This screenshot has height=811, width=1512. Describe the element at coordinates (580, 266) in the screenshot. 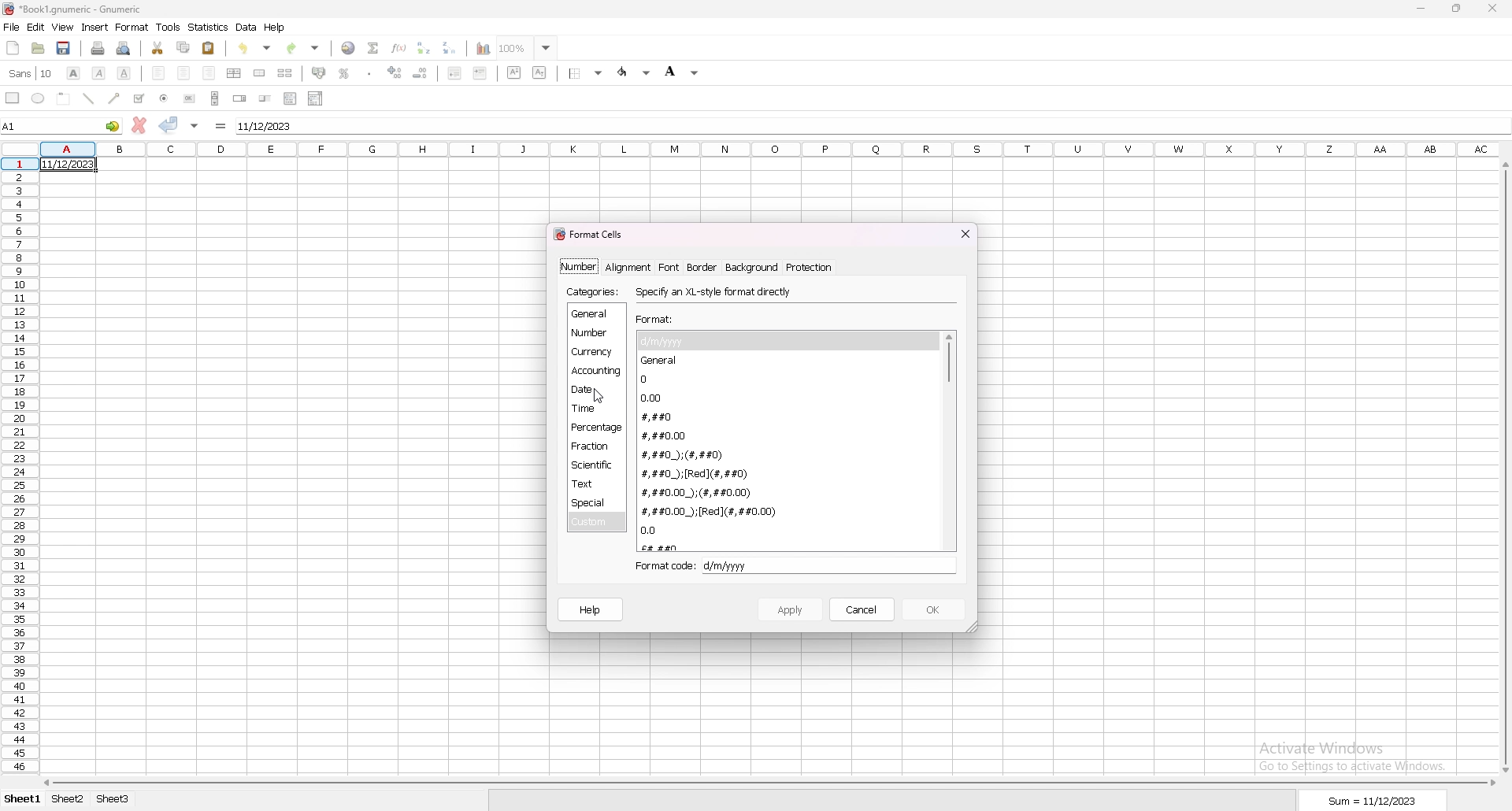

I see `number` at that location.